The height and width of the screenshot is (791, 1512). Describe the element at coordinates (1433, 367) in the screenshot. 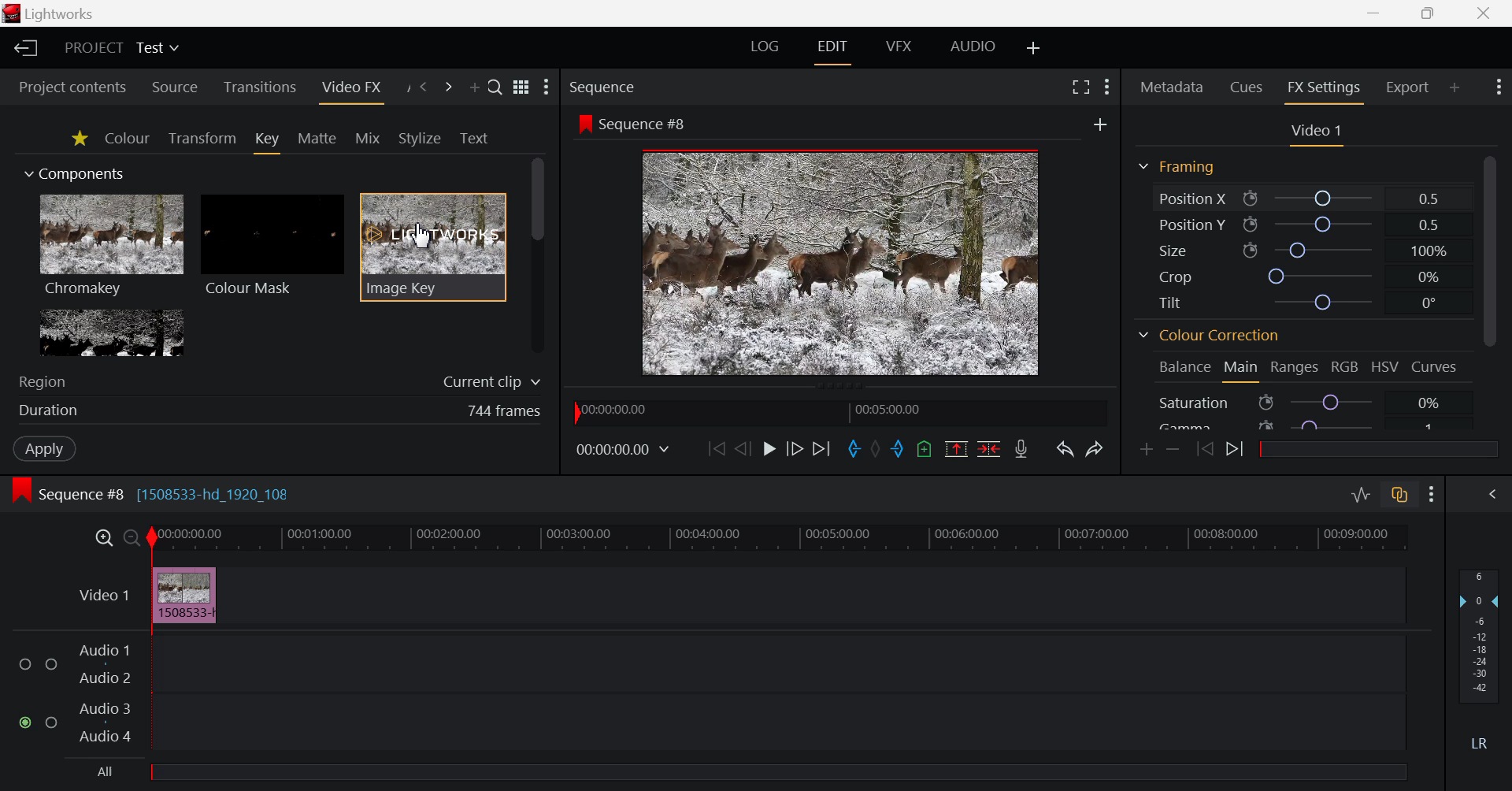

I see `Curves` at that location.